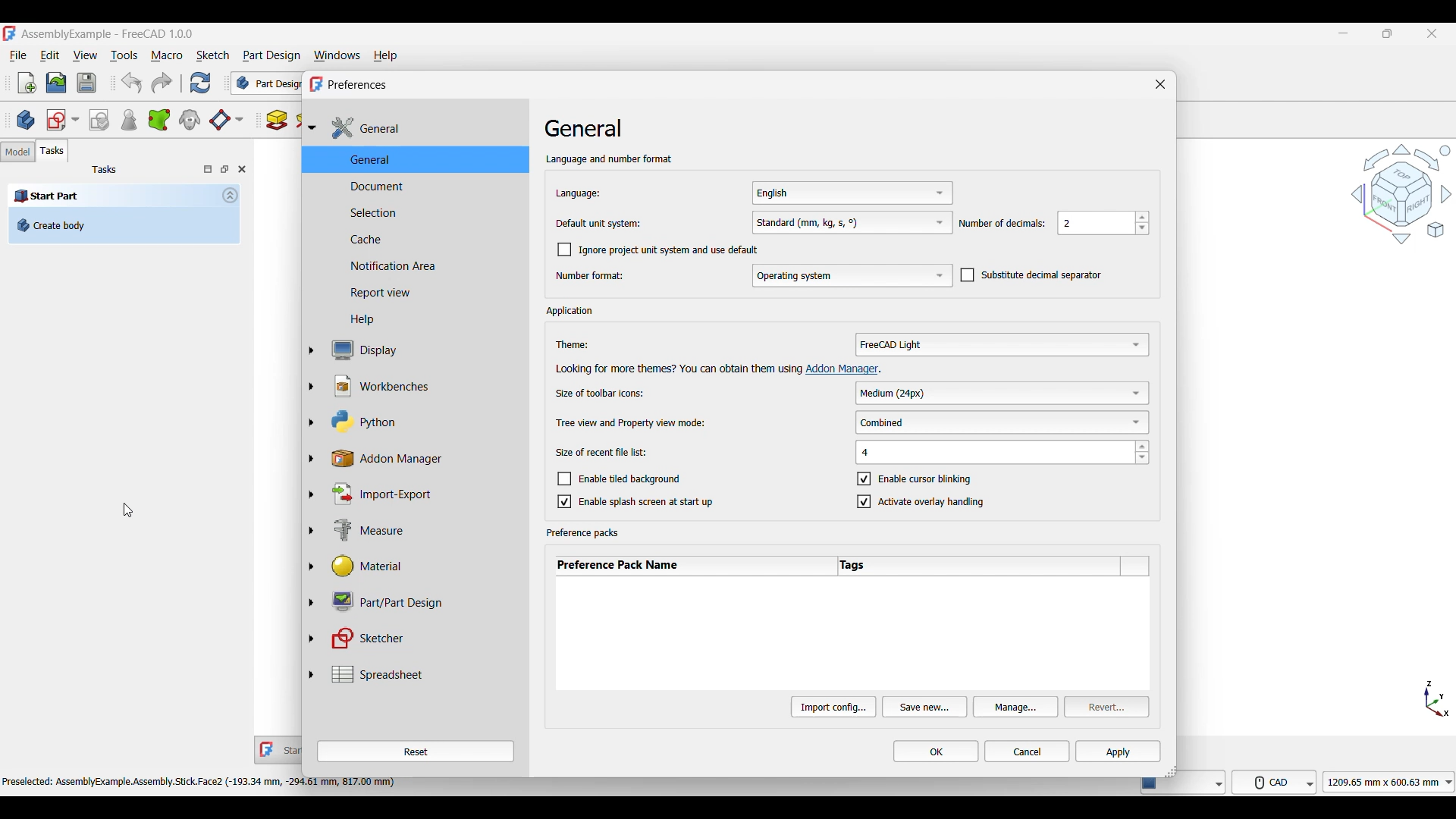 This screenshot has height=819, width=1456. Describe the element at coordinates (105, 171) in the screenshot. I see `Tasks` at that location.